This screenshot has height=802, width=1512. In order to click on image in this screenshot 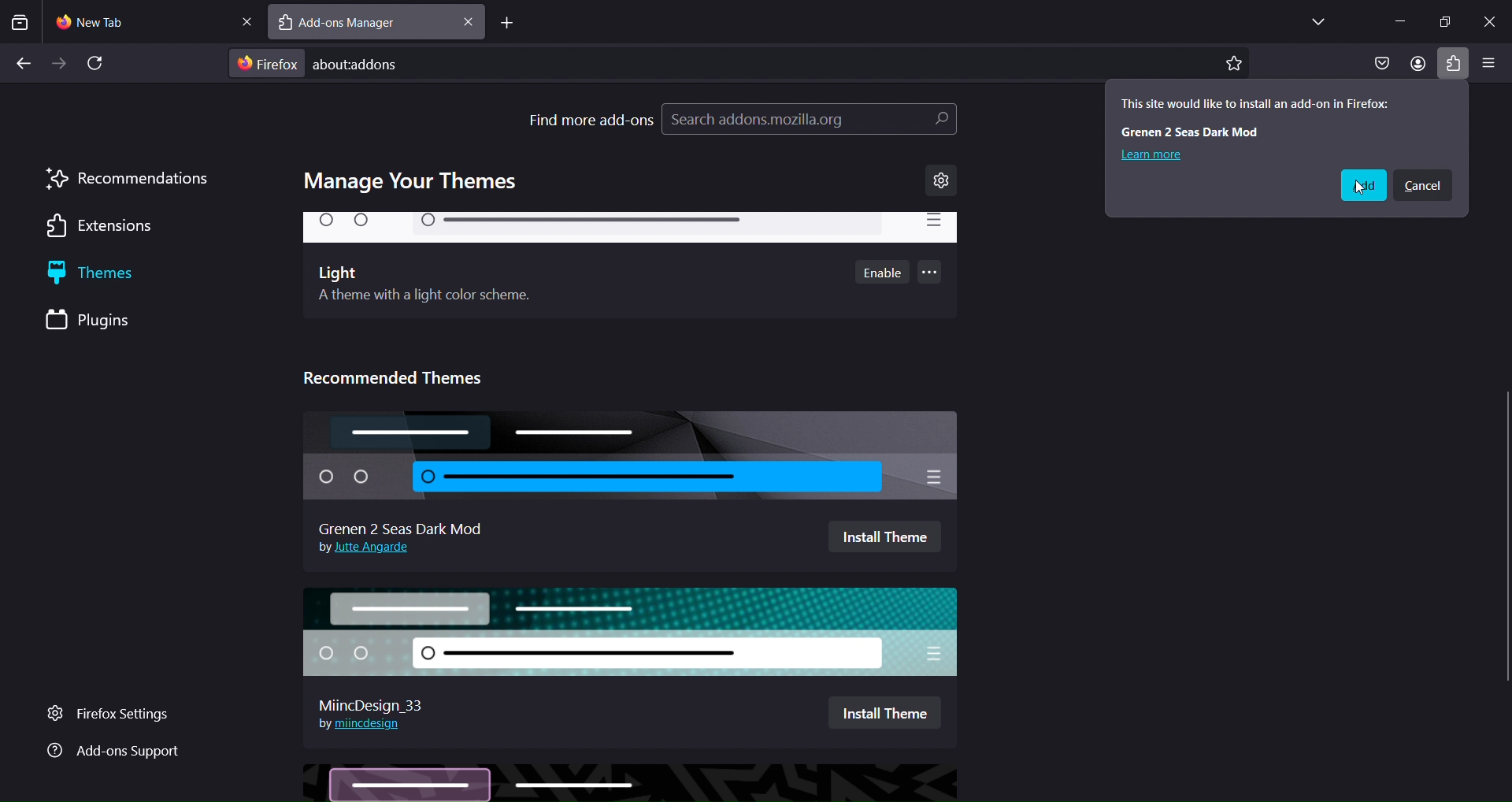, I will do `click(630, 782)`.